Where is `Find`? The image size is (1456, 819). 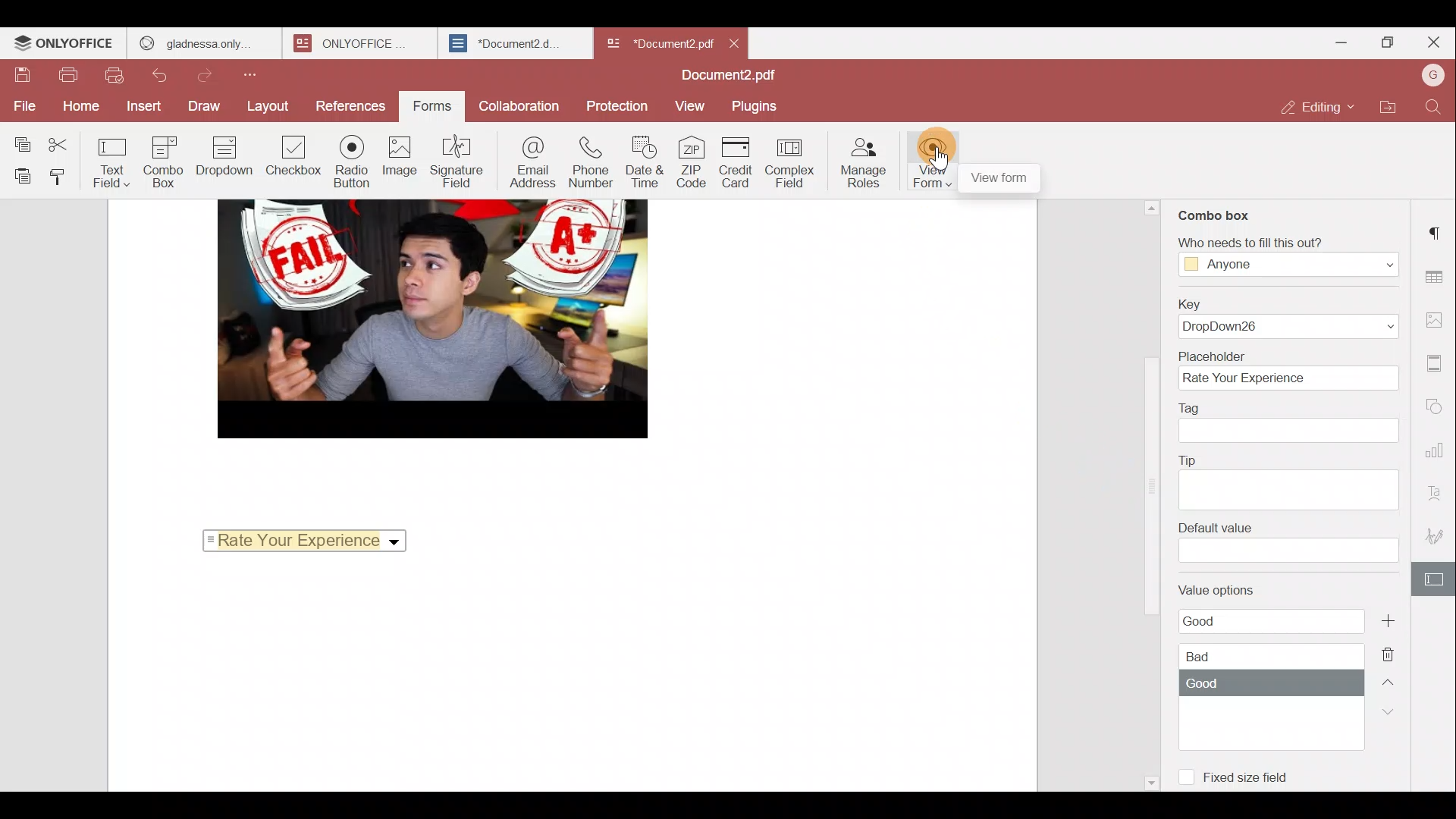
Find is located at coordinates (1433, 110).